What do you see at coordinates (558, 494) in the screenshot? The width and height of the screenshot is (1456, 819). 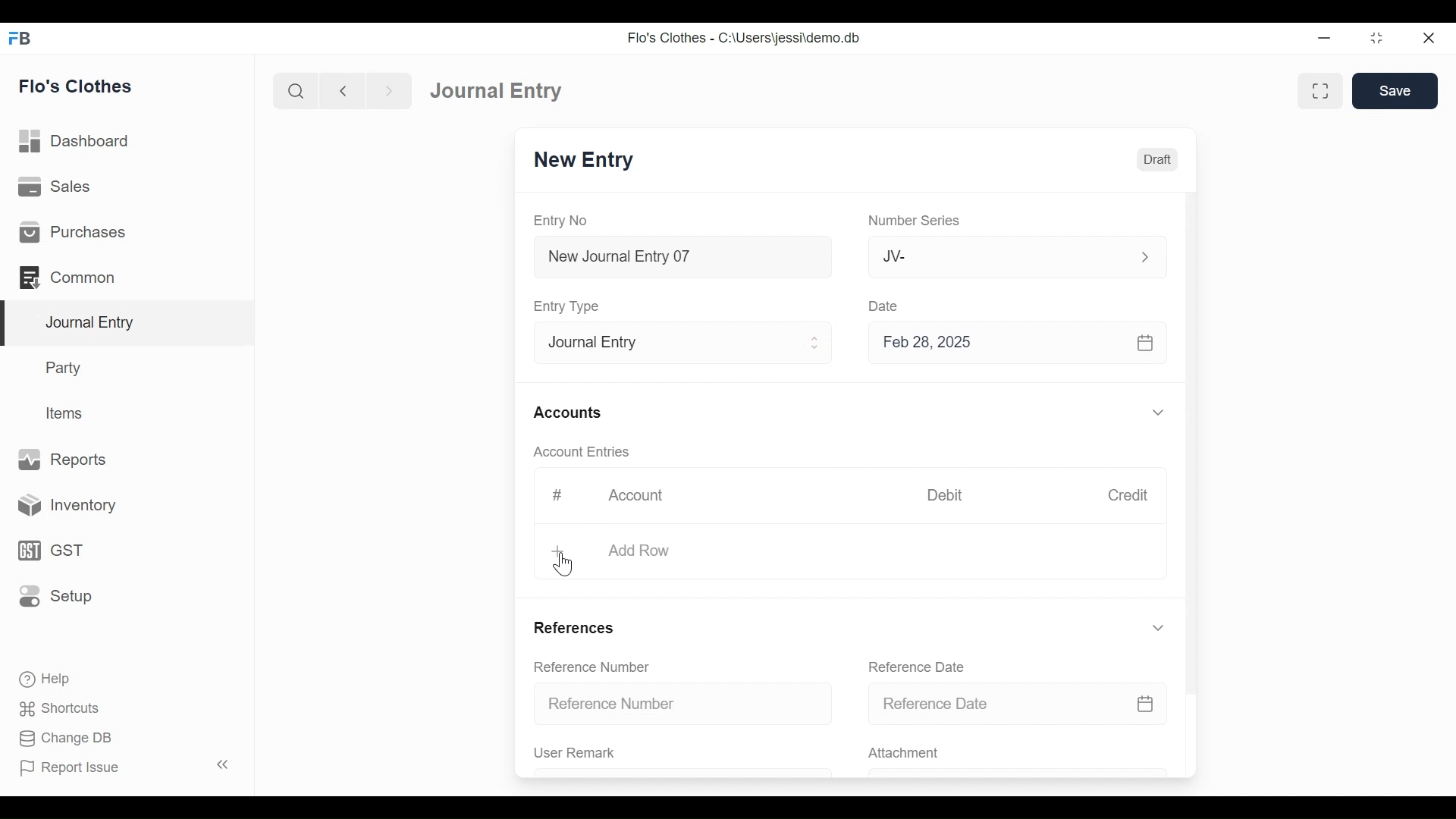 I see `#` at bounding box center [558, 494].